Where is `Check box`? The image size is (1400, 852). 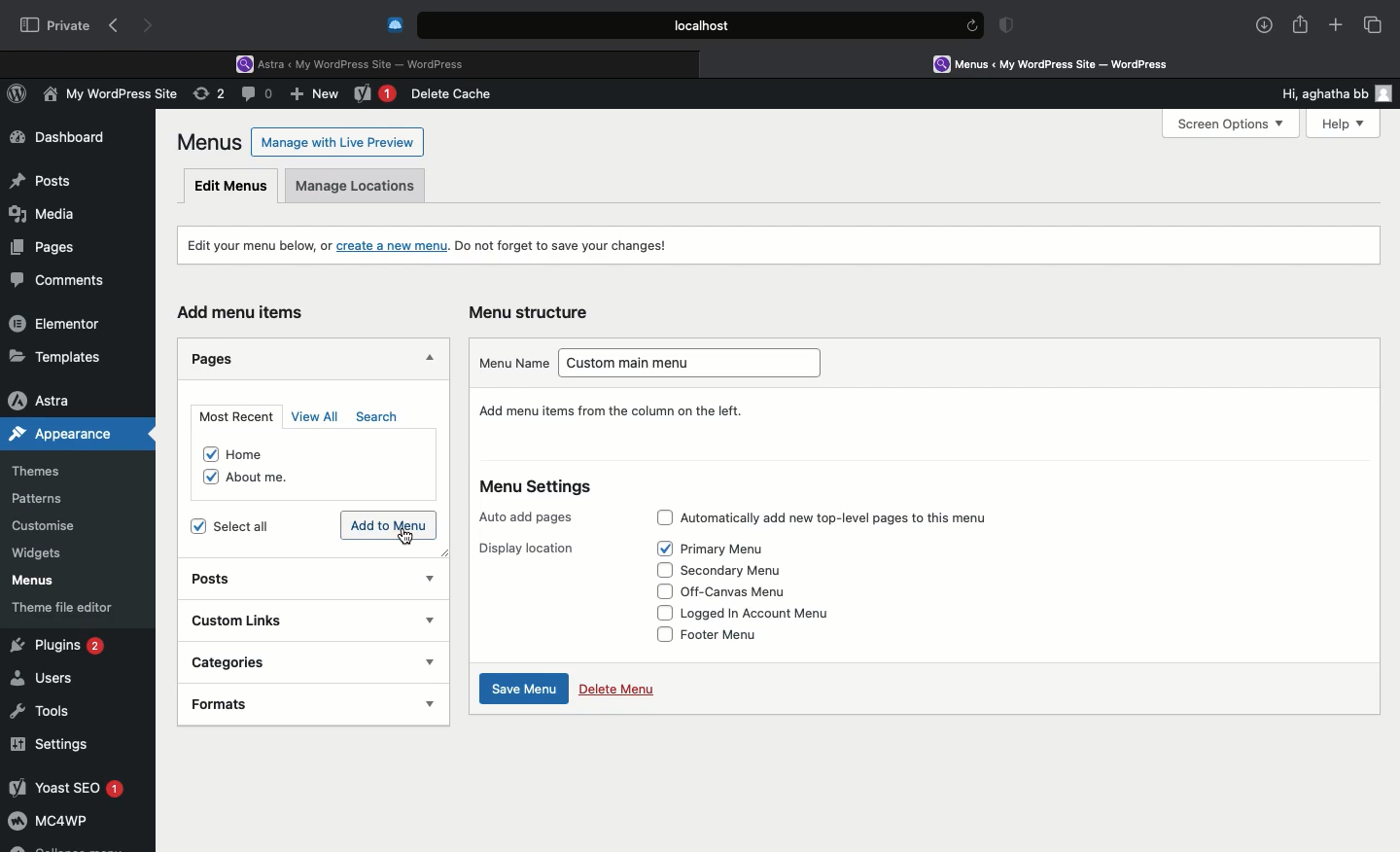 Check box is located at coordinates (659, 571).